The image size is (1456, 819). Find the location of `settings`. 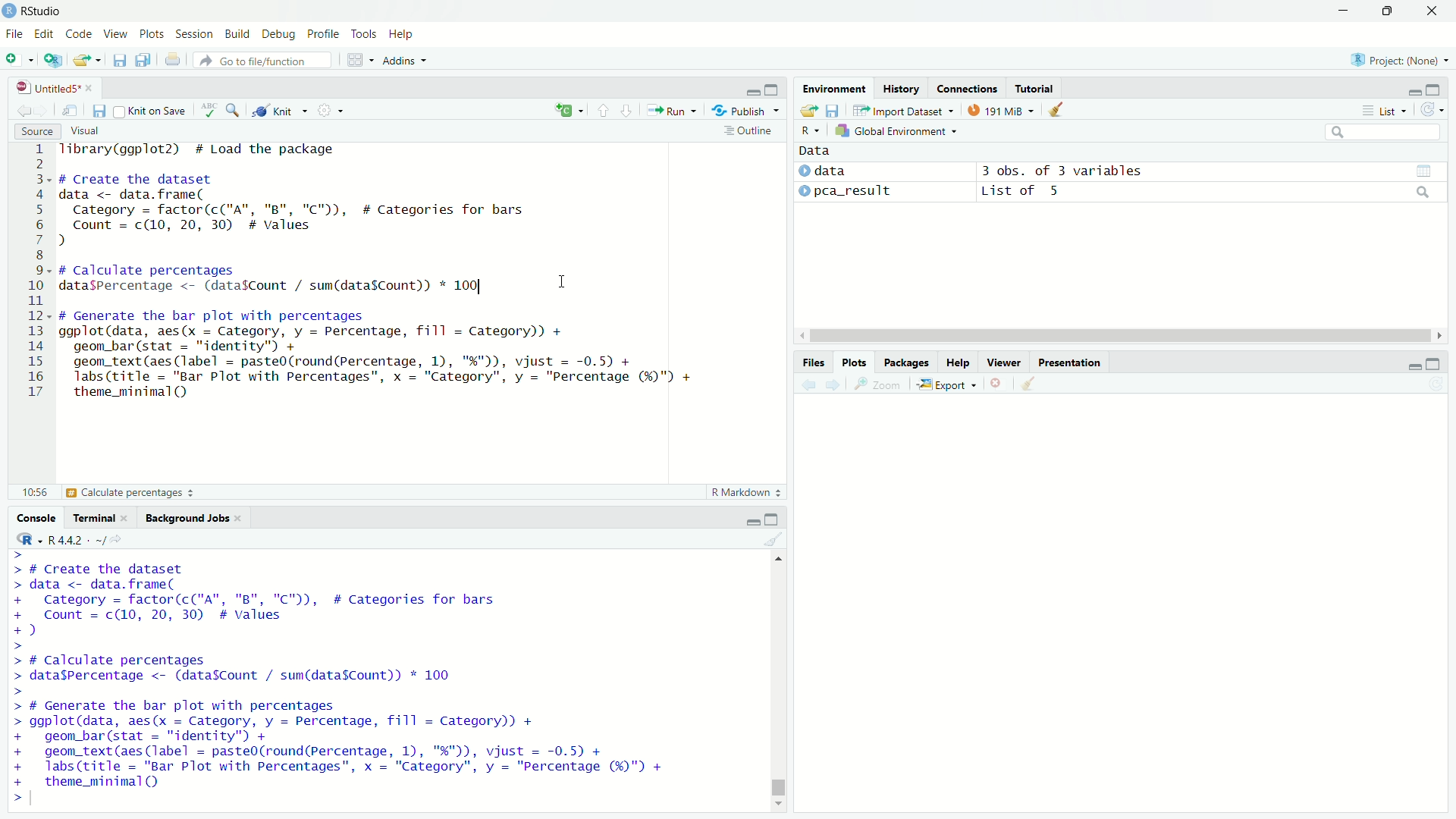

settings is located at coordinates (325, 109).